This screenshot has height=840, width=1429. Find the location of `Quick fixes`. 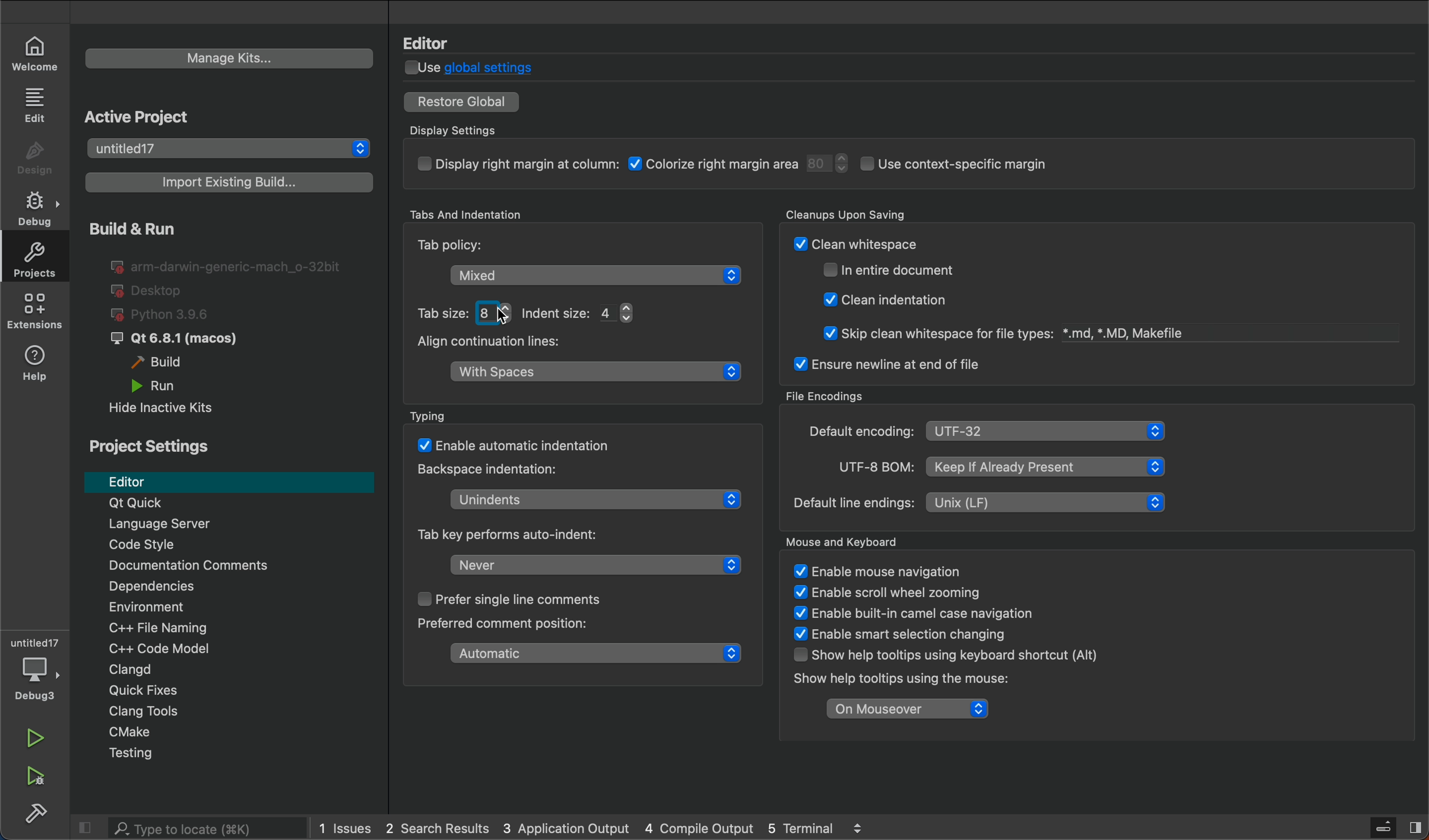

Quick fixes is located at coordinates (233, 692).